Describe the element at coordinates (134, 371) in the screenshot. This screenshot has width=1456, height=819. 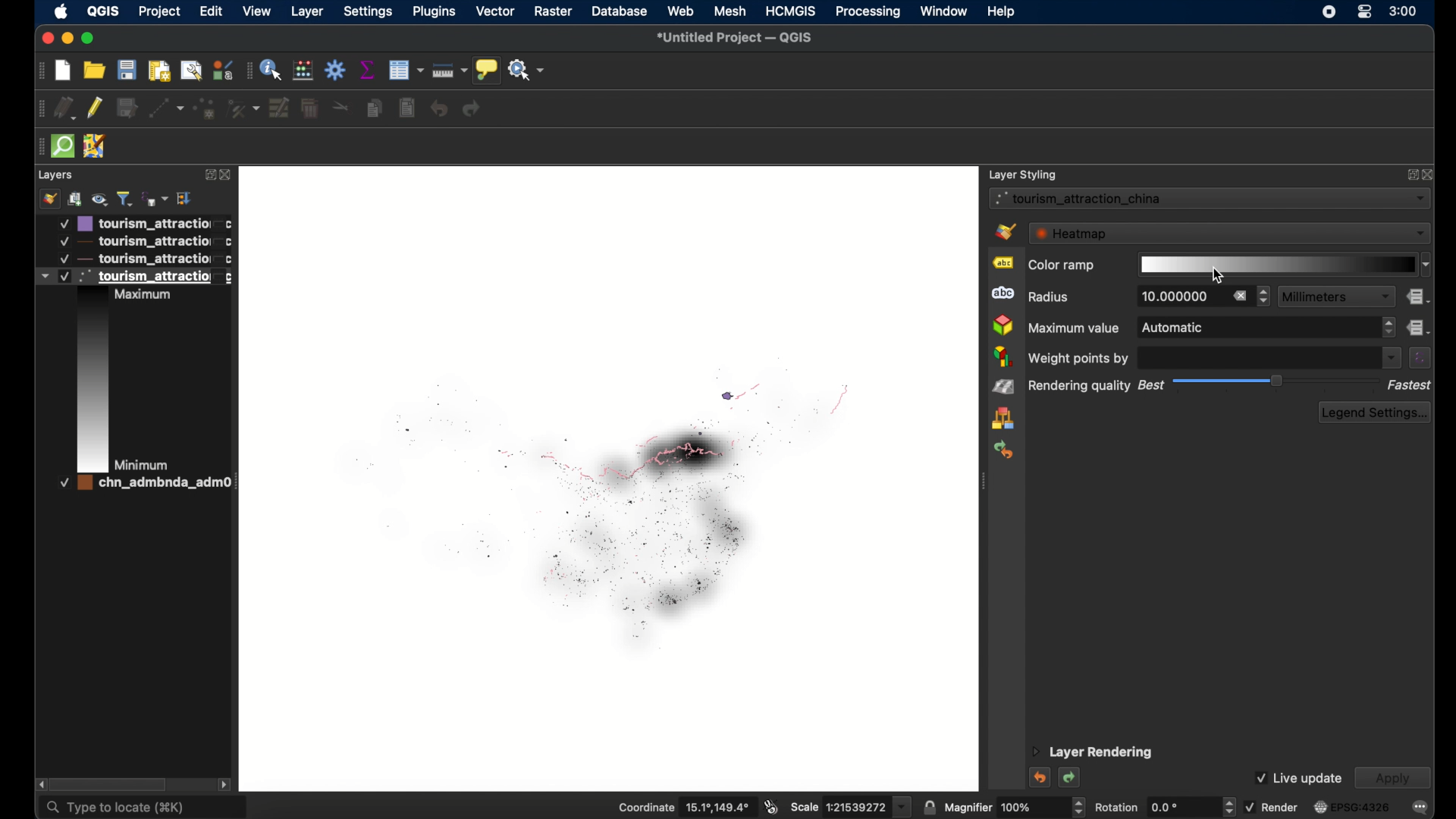
I see `layer 3` at that location.